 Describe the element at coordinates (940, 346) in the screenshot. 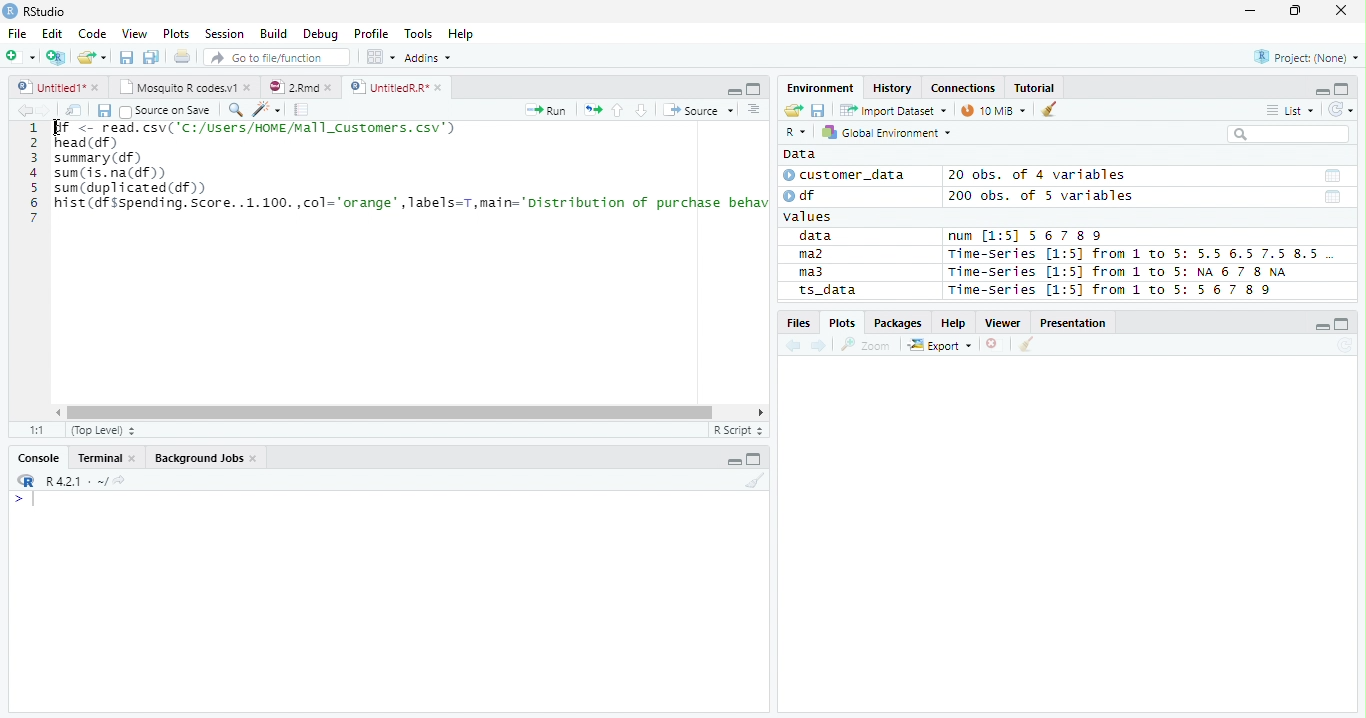

I see `Export` at that location.